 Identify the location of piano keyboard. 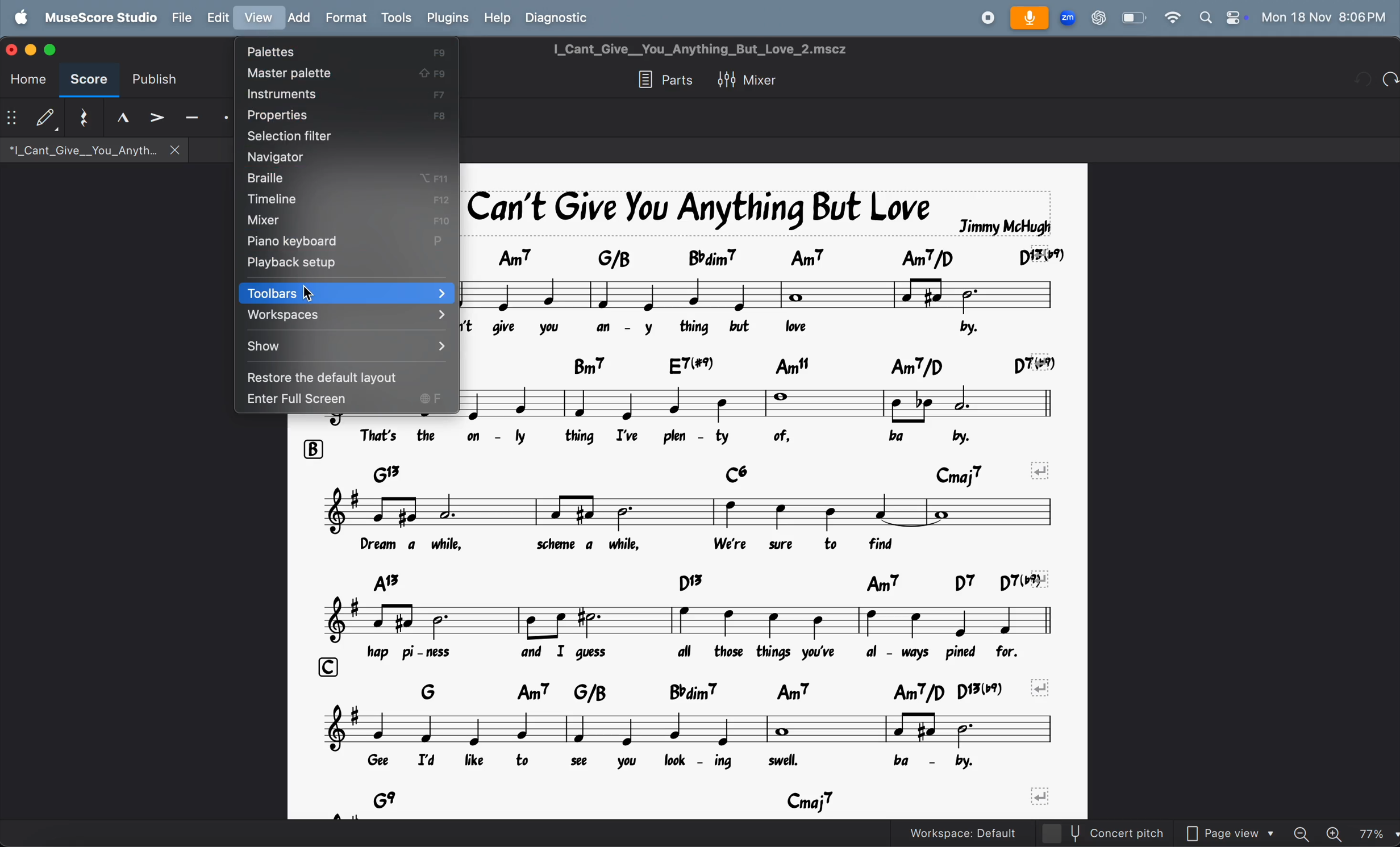
(346, 242).